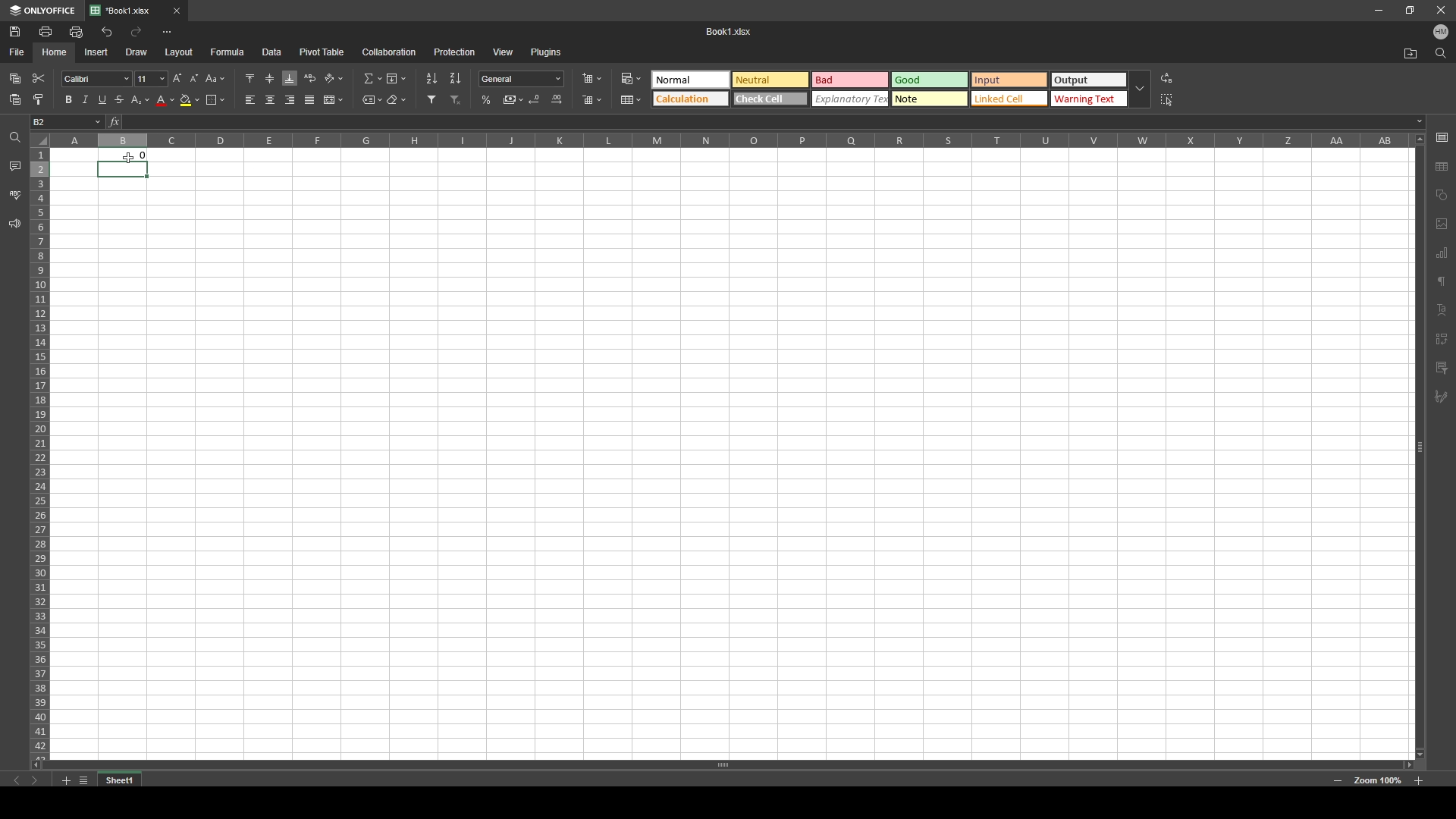 The image size is (1456, 819). I want to click on text align, so click(1443, 309).